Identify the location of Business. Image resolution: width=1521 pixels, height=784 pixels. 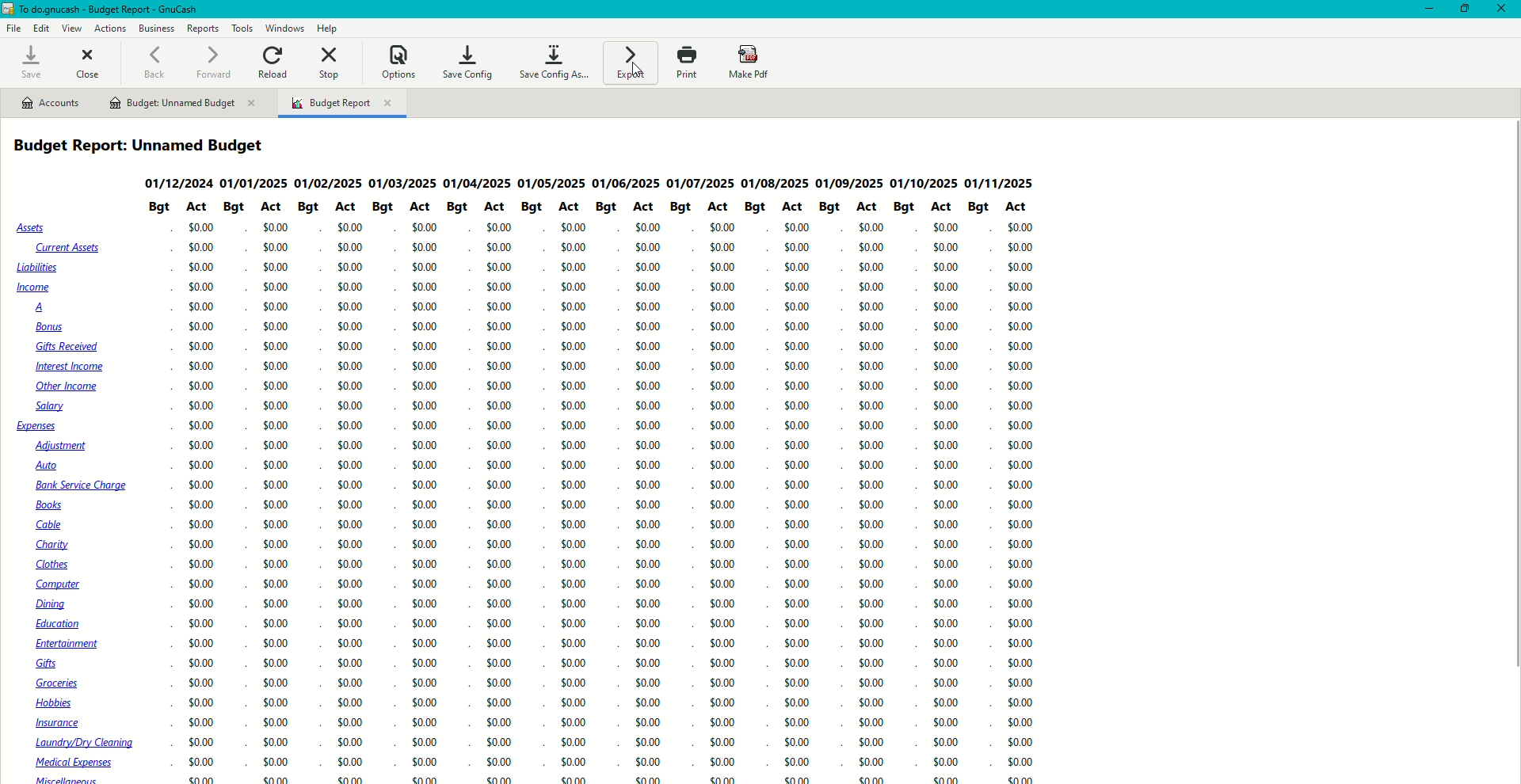
(156, 27).